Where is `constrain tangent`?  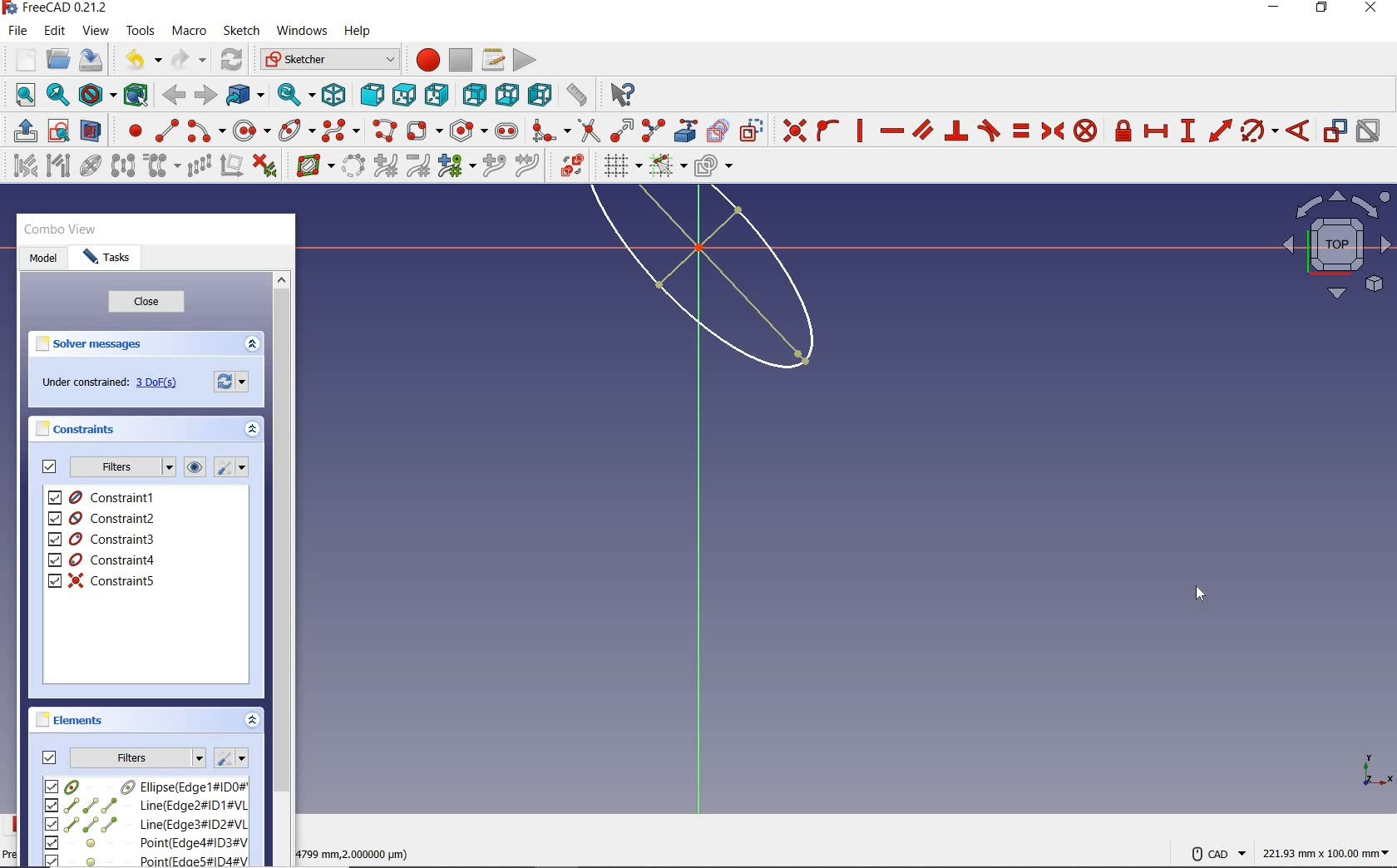
constrain tangent is located at coordinates (990, 129).